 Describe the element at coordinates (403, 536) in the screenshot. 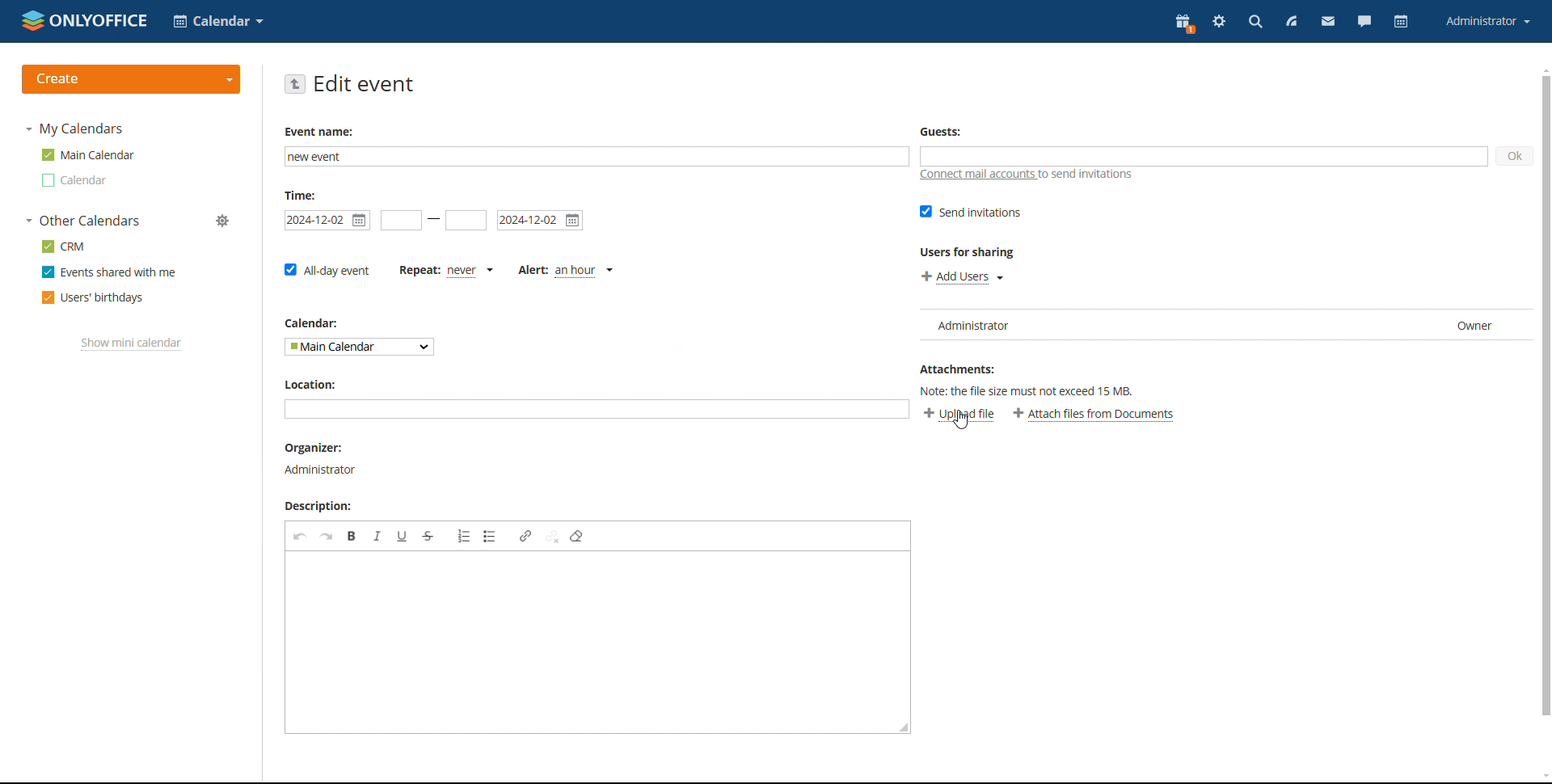

I see `underline` at that location.